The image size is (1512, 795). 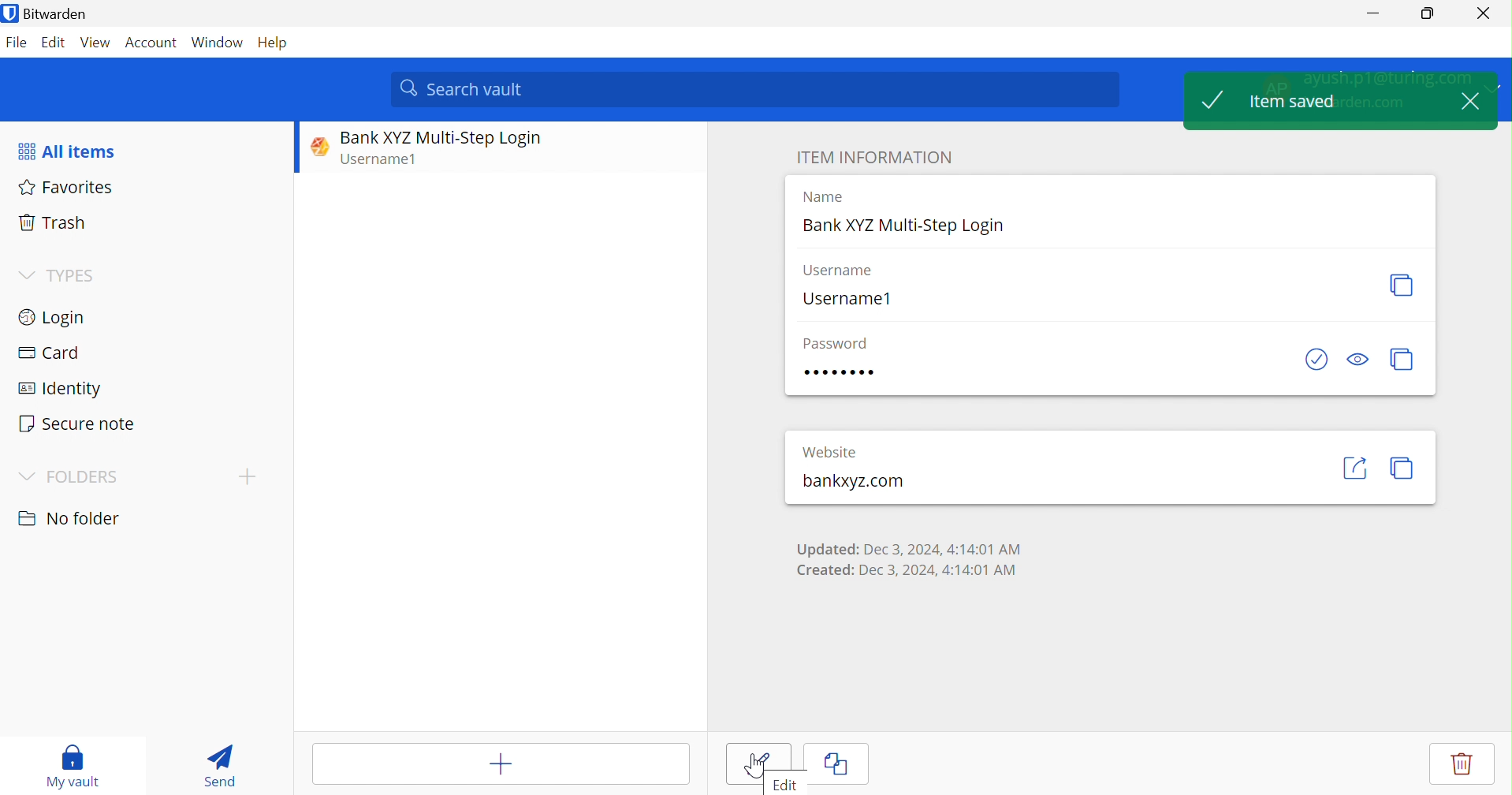 What do you see at coordinates (61, 390) in the screenshot?
I see `Identity` at bounding box center [61, 390].